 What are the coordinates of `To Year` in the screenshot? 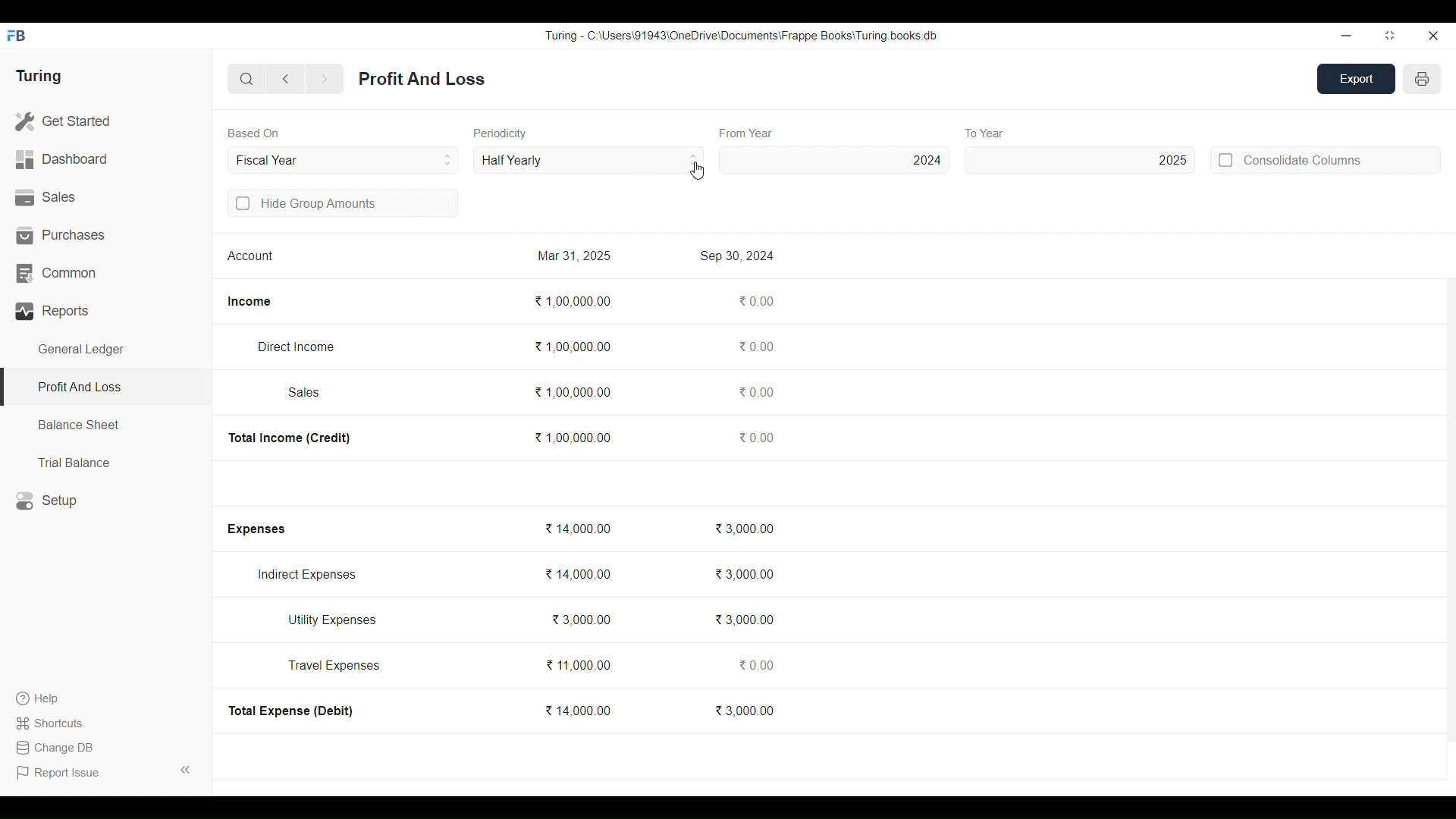 It's located at (986, 133).